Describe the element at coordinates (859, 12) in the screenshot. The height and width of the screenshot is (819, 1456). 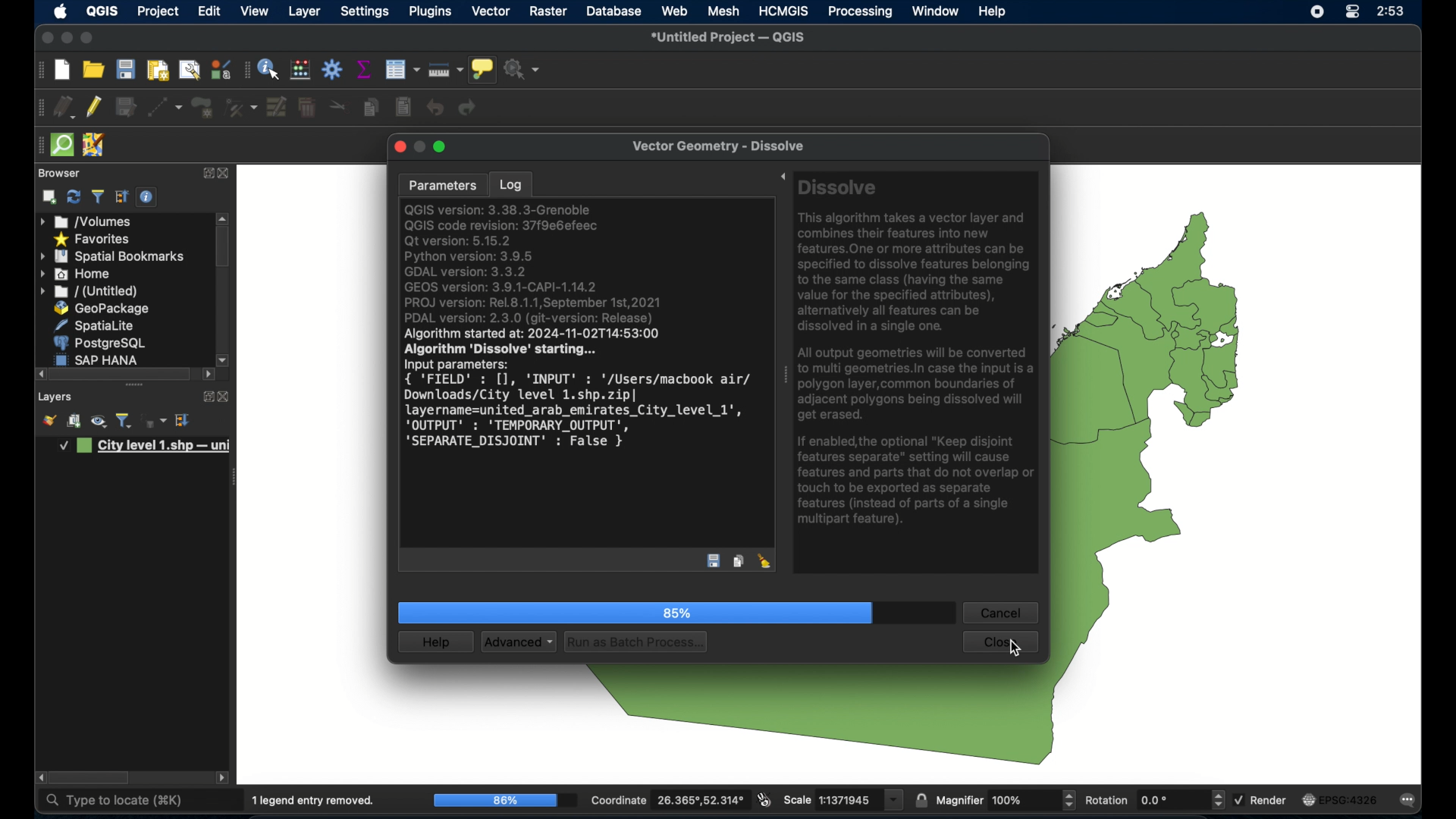
I see `processing` at that location.